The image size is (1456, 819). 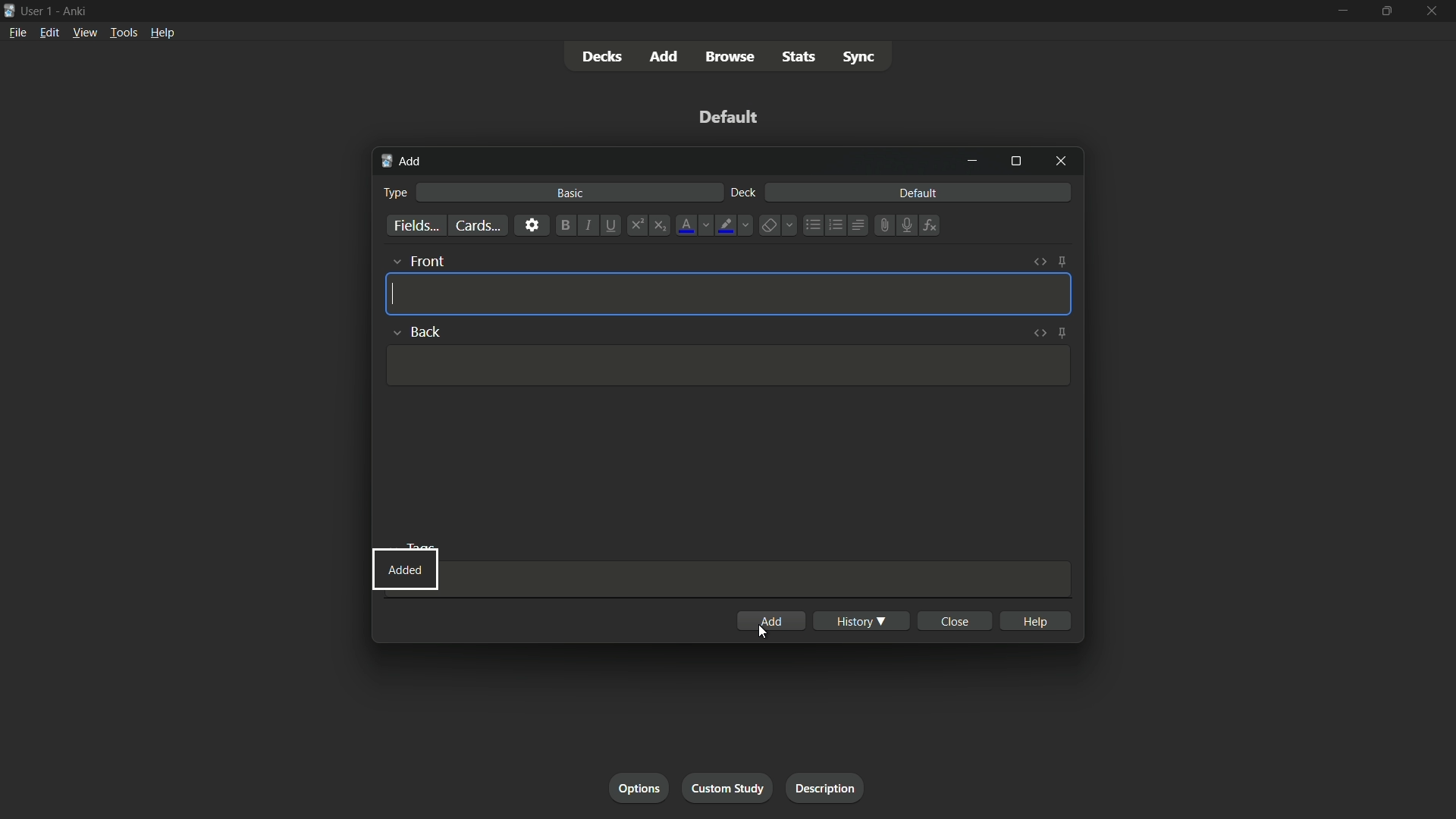 What do you see at coordinates (397, 192) in the screenshot?
I see `type` at bounding box center [397, 192].